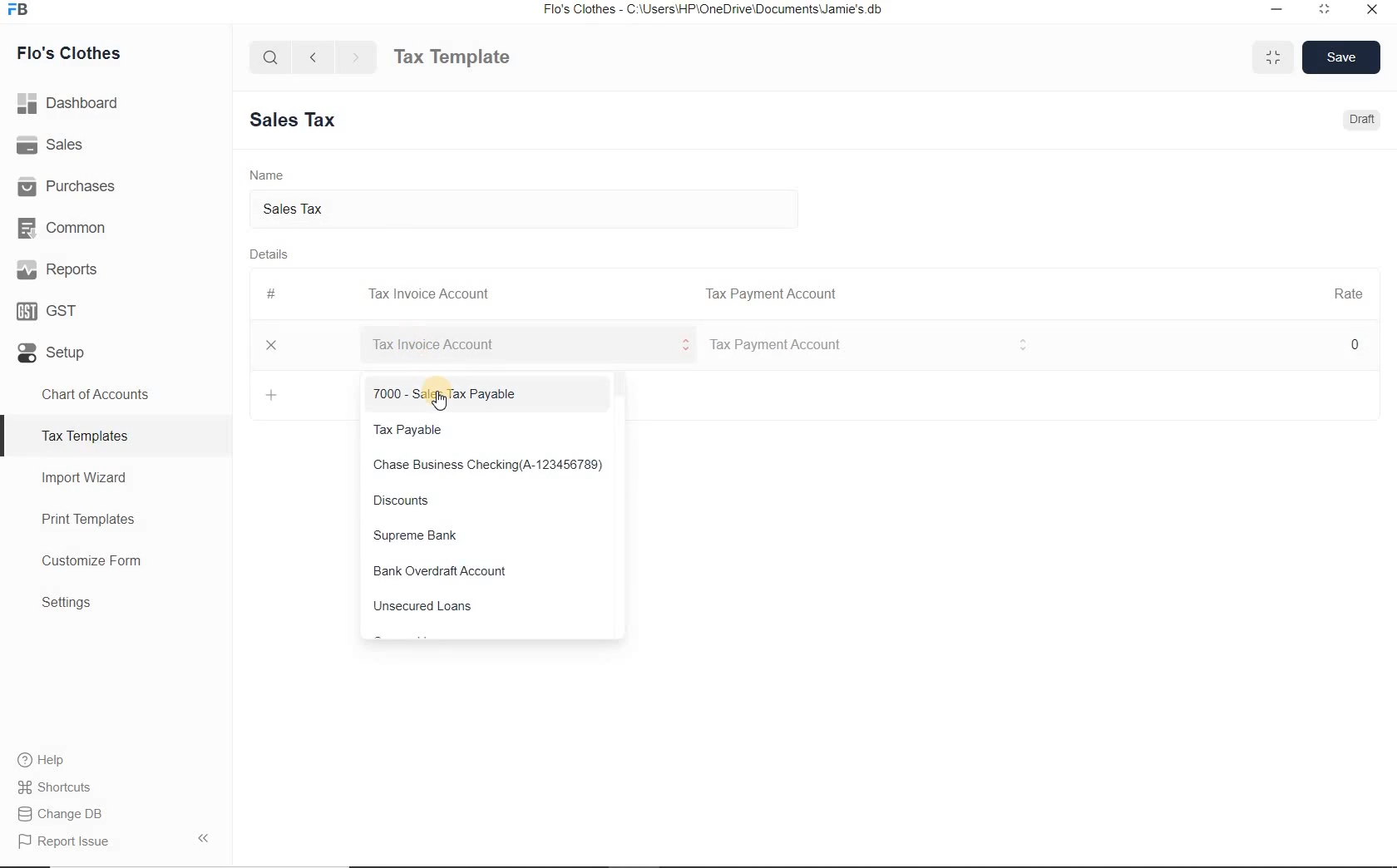 This screenshot has height=868, width=1397. Describe the element at coordinates (116, 184) in the screenshot. I see `Purchases` at that location.